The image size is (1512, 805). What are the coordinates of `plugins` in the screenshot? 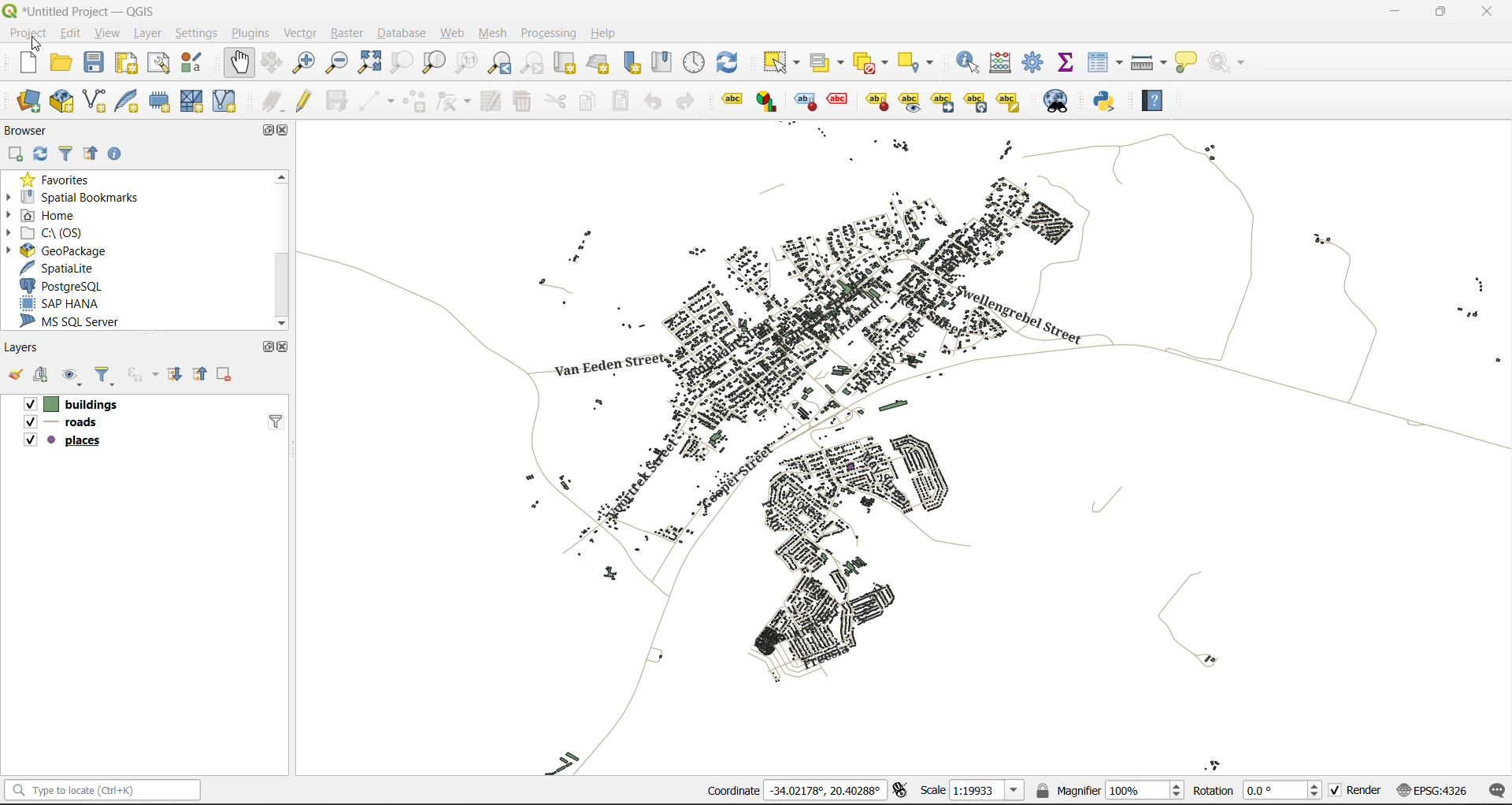 It's located at (250, 33).